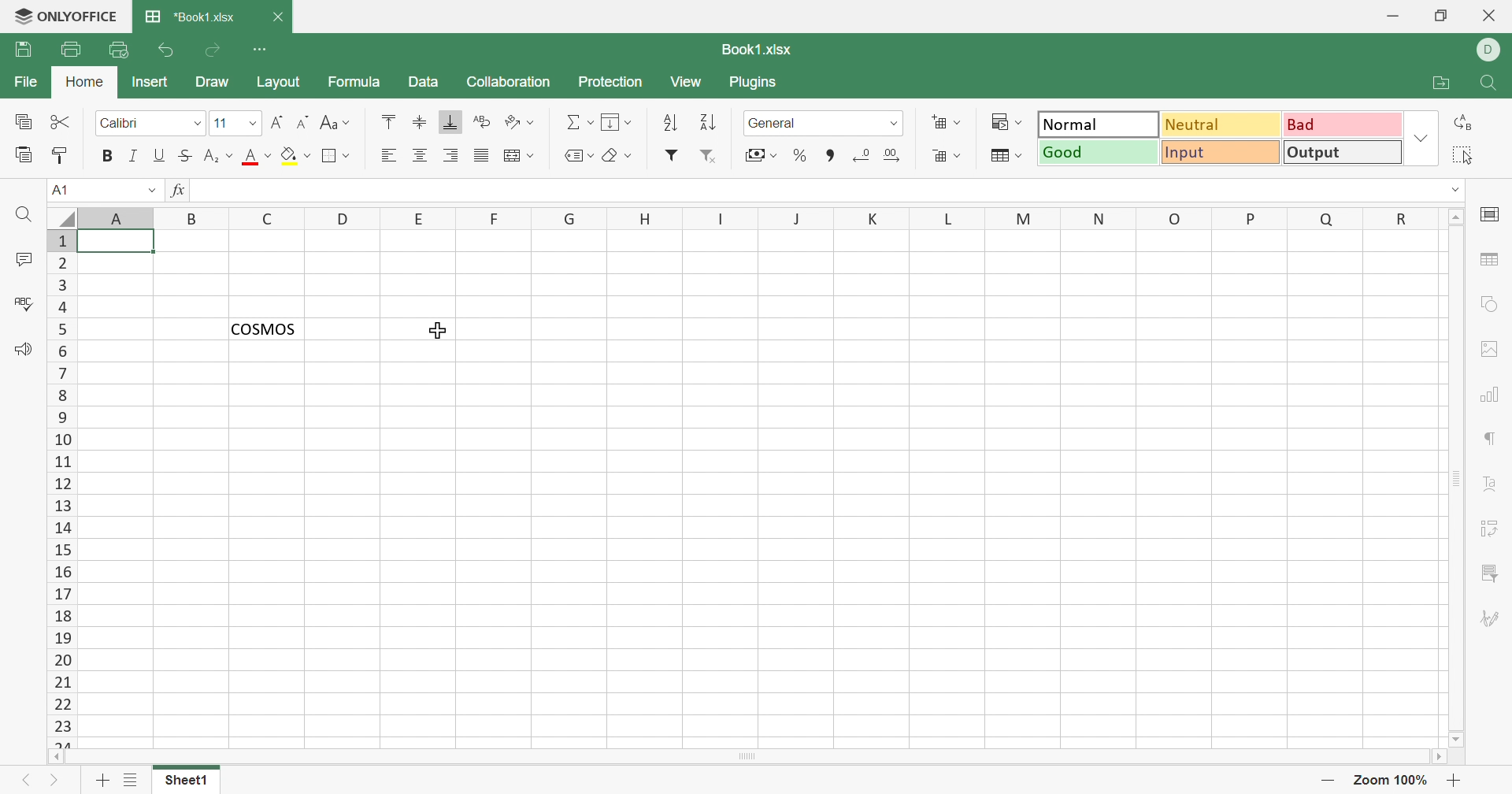 This screenshot has height=794, width=1512. I want to click on Column Names, so click(762, 217).